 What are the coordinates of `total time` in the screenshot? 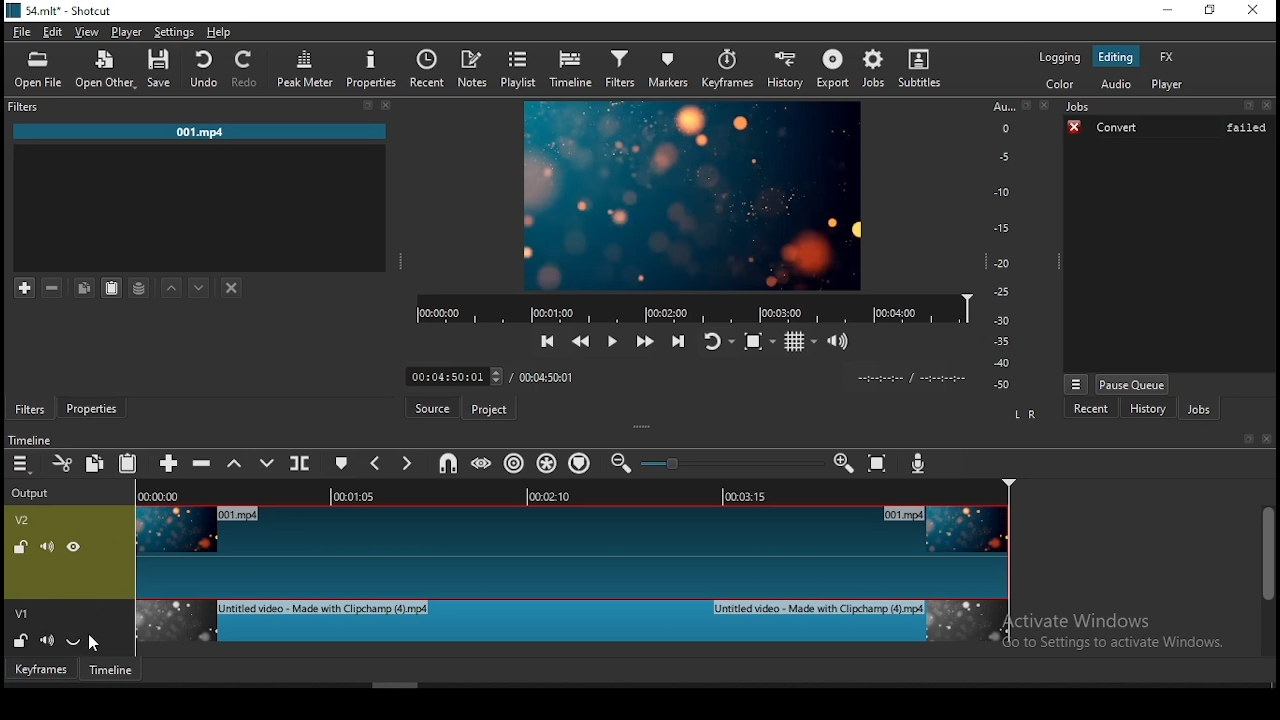 It's located at (547, 376).